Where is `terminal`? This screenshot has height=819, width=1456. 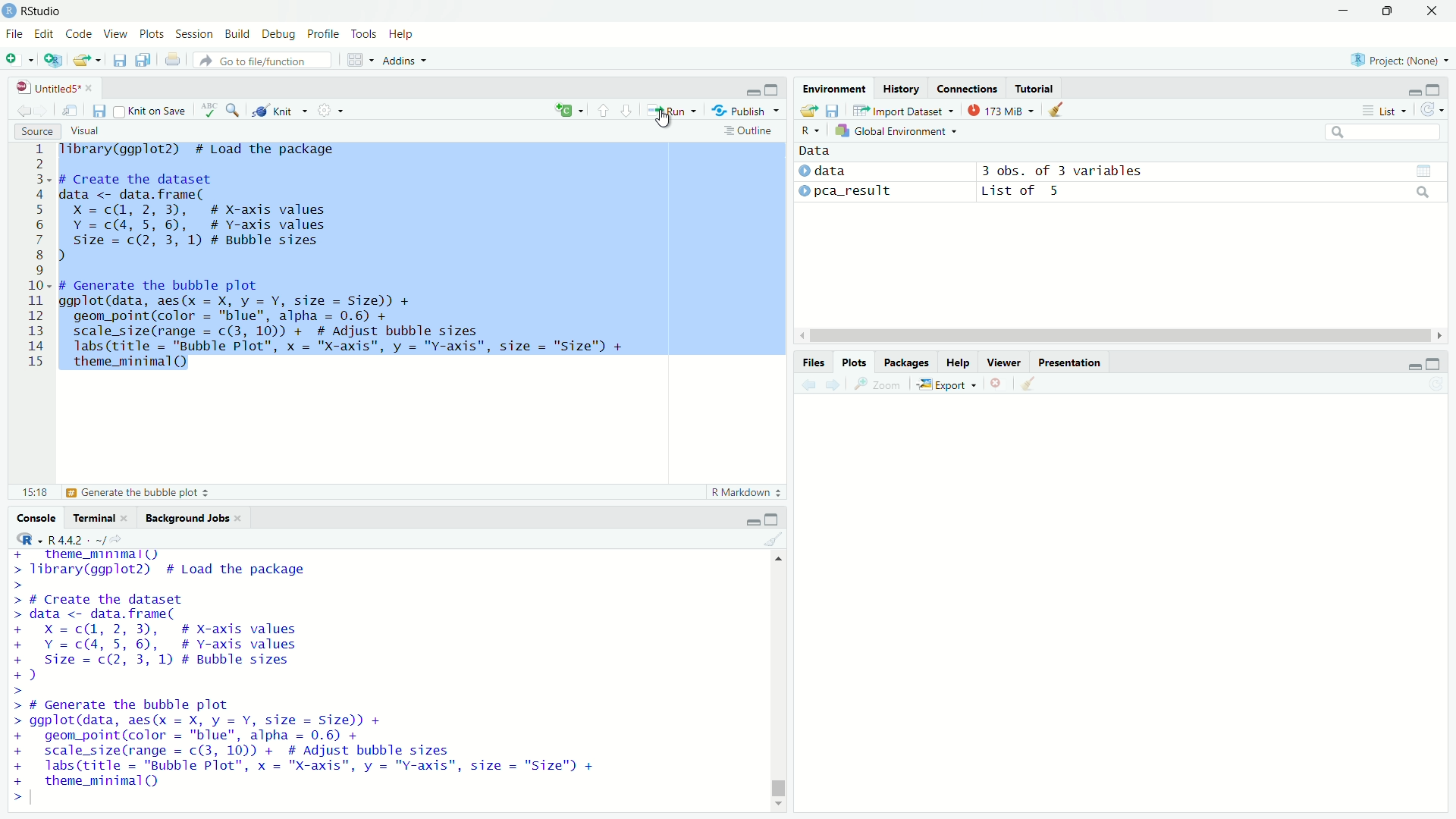 terminal is located at coordinates (101, 516).